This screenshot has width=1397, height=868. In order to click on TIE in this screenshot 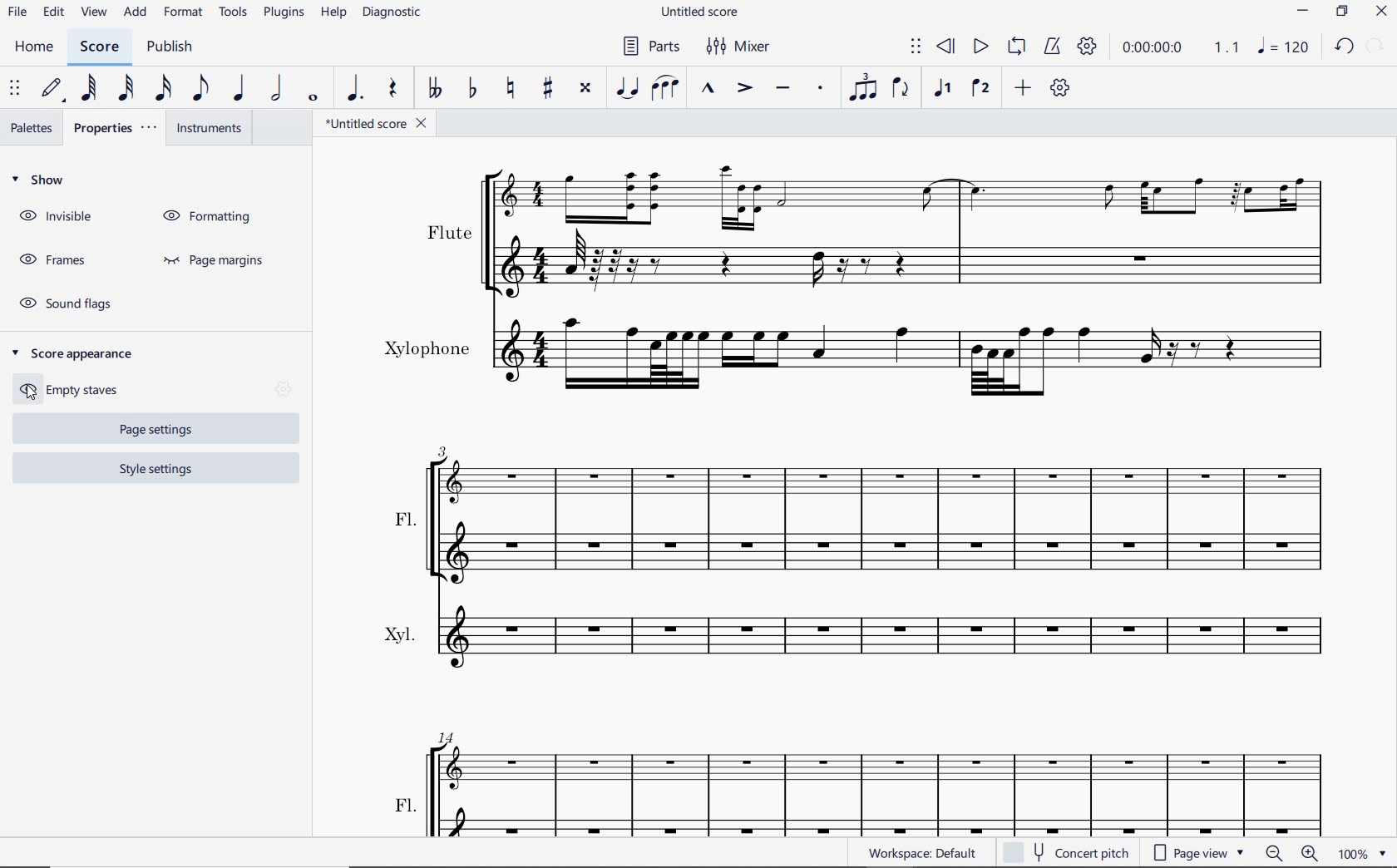, I will do `click(628, 88)`.